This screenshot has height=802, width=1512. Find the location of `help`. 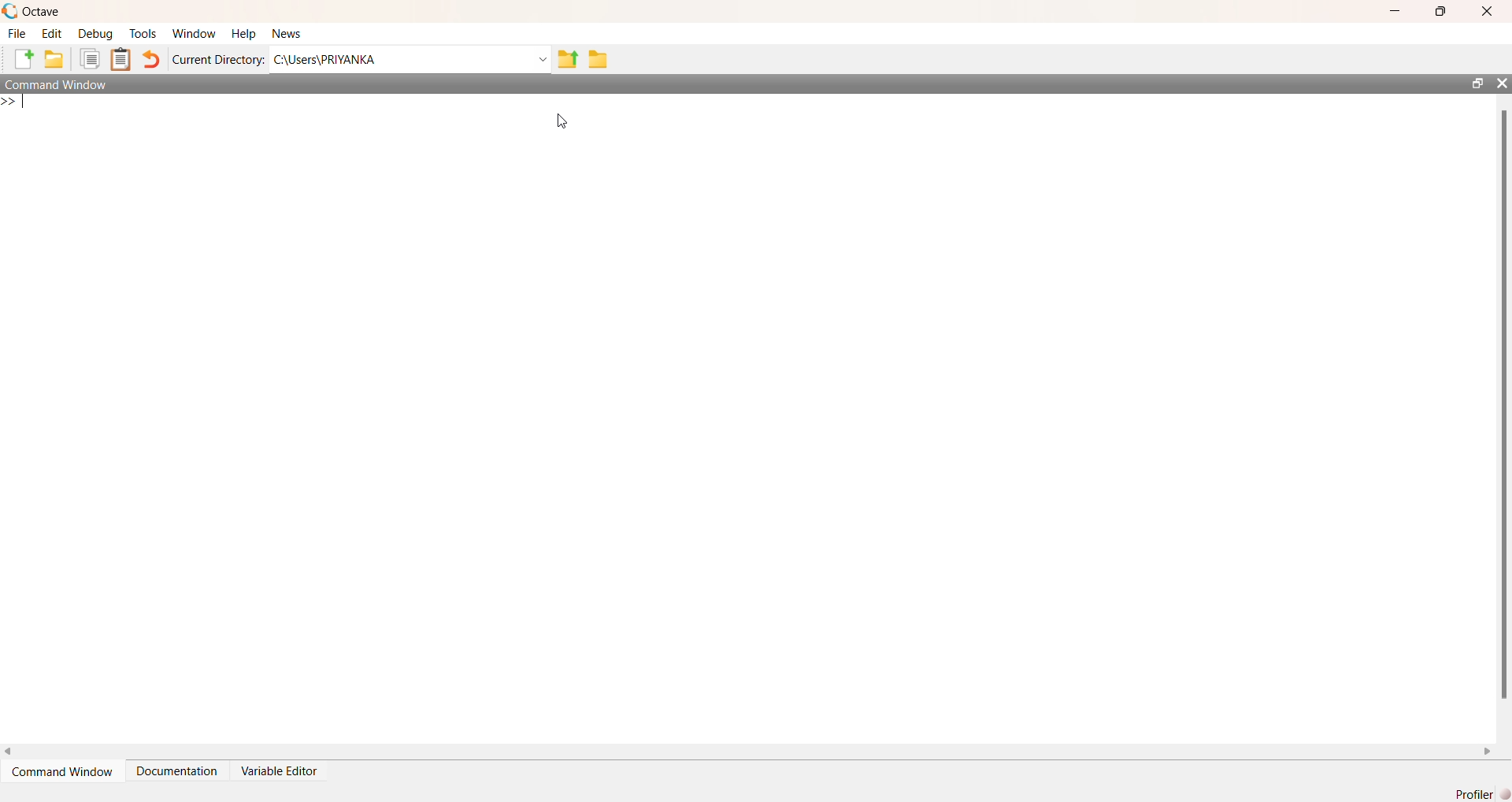

help is located at coordinates (243, 33).